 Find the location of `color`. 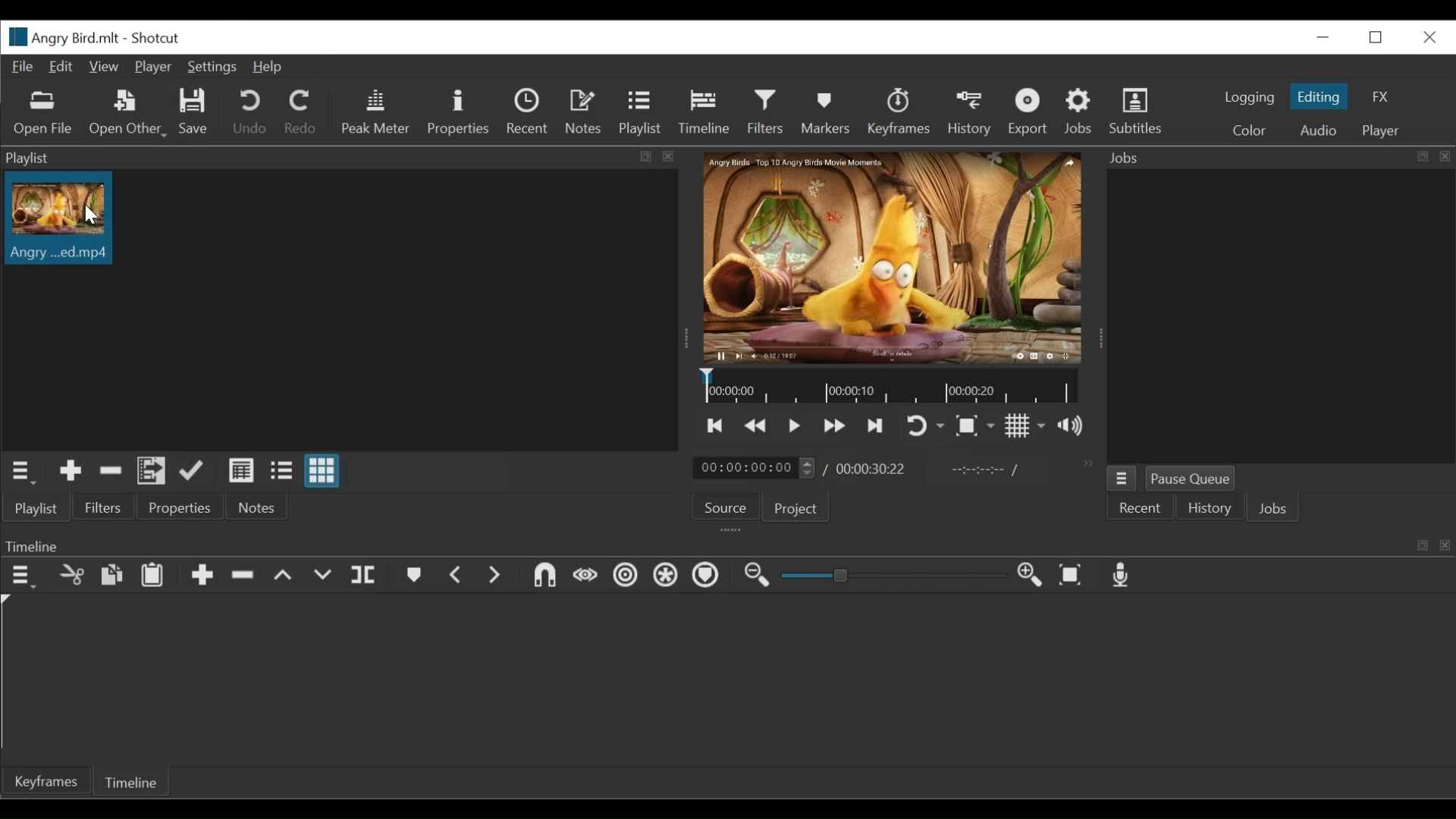

color is located at coordinates (1248, 131).